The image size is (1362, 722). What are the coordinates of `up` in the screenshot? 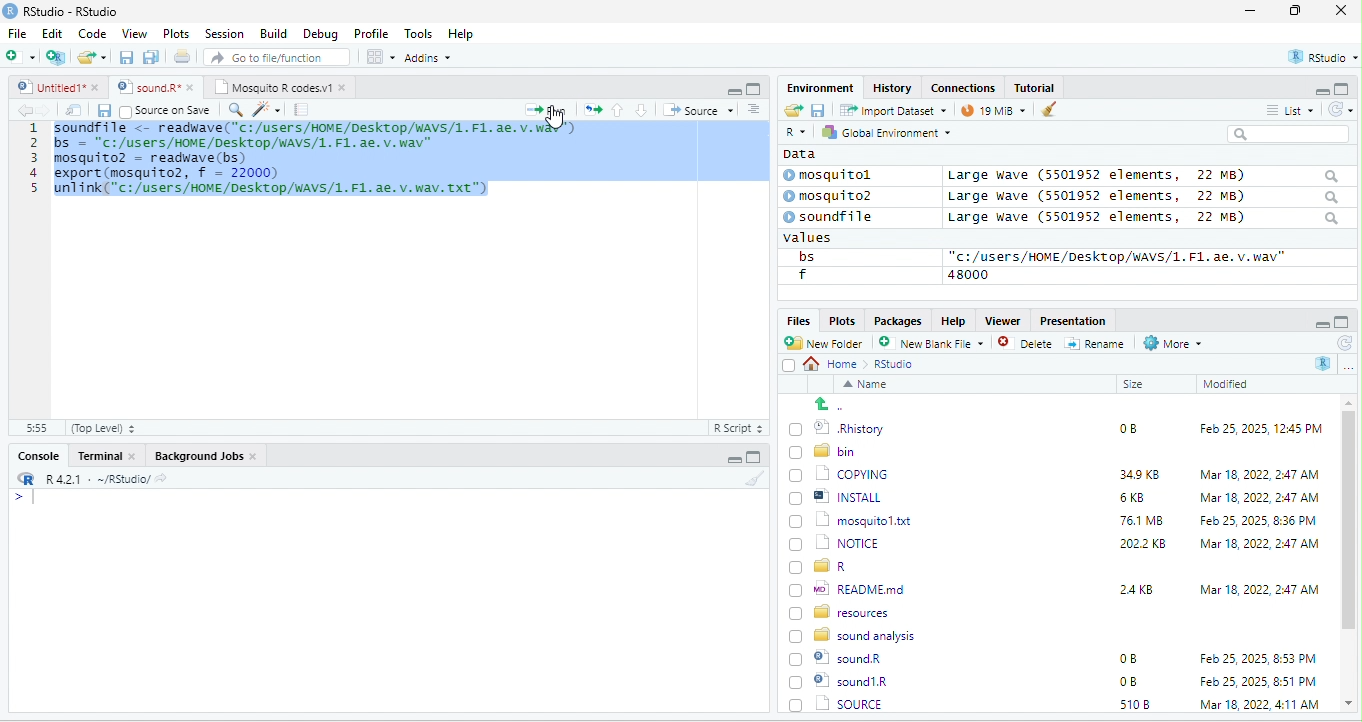 It's located at (619, 109).